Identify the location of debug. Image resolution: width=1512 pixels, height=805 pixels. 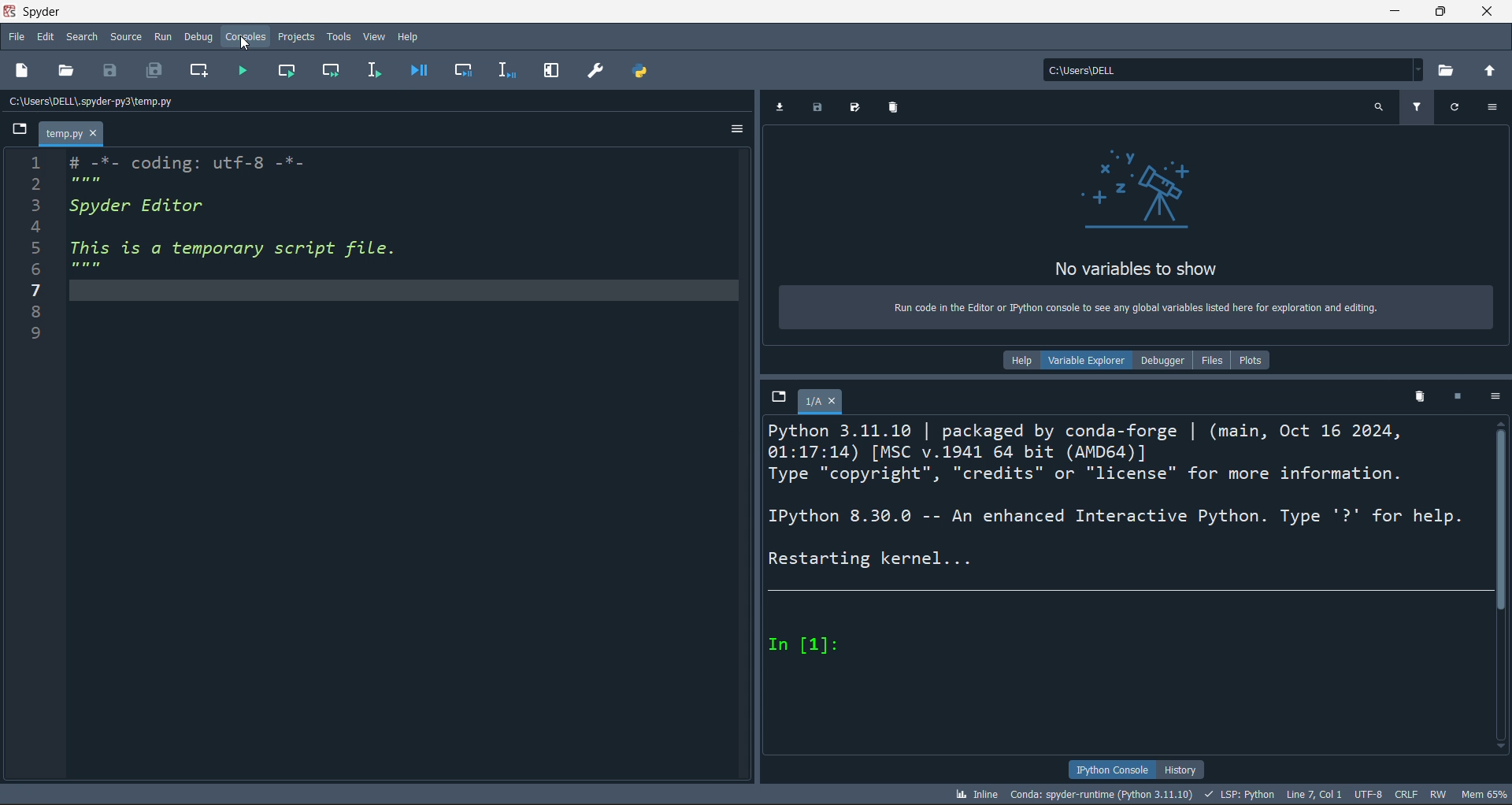
(200, 37).